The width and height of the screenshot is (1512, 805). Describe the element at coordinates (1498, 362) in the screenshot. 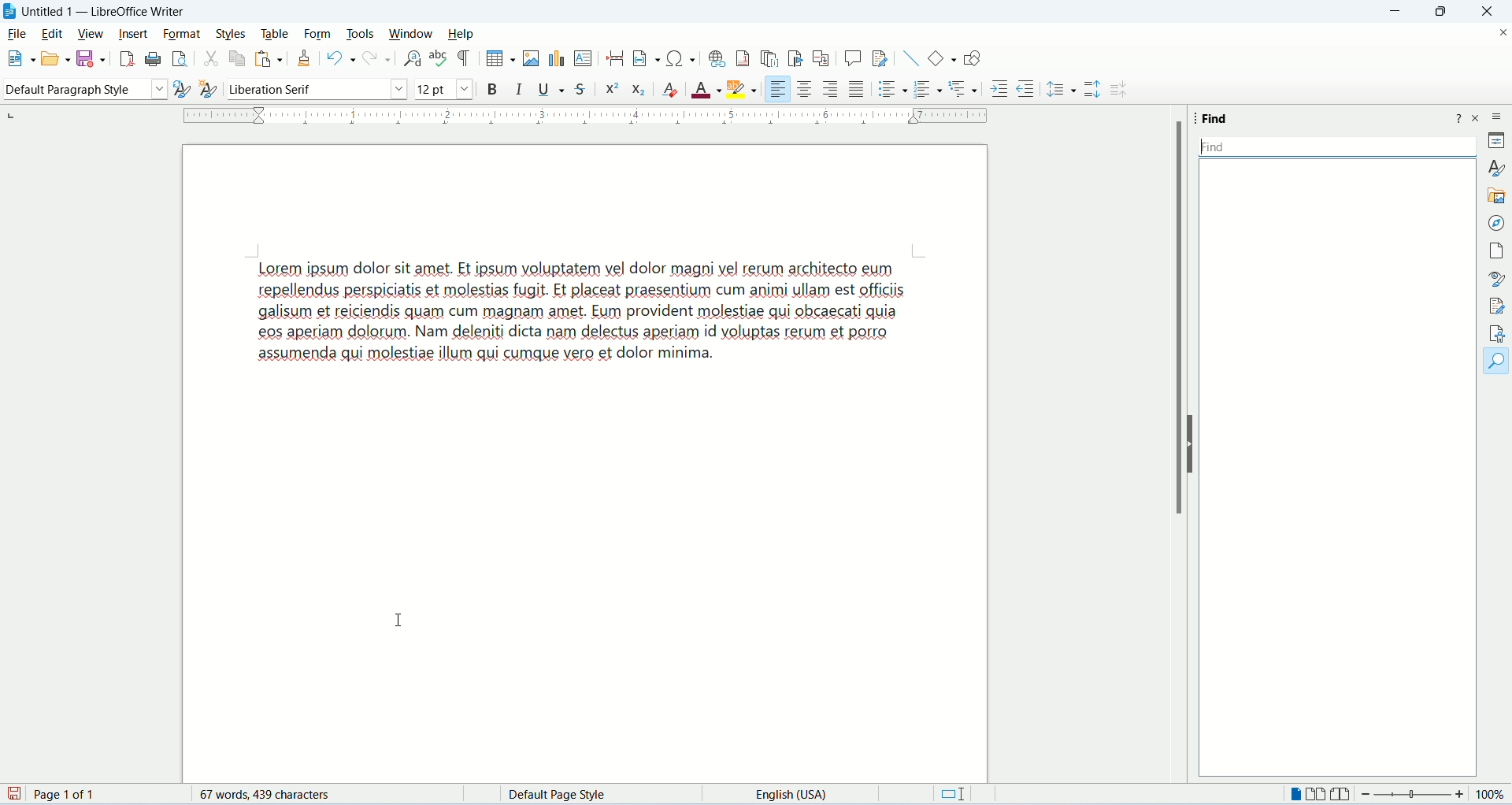

I see `find` at that location.